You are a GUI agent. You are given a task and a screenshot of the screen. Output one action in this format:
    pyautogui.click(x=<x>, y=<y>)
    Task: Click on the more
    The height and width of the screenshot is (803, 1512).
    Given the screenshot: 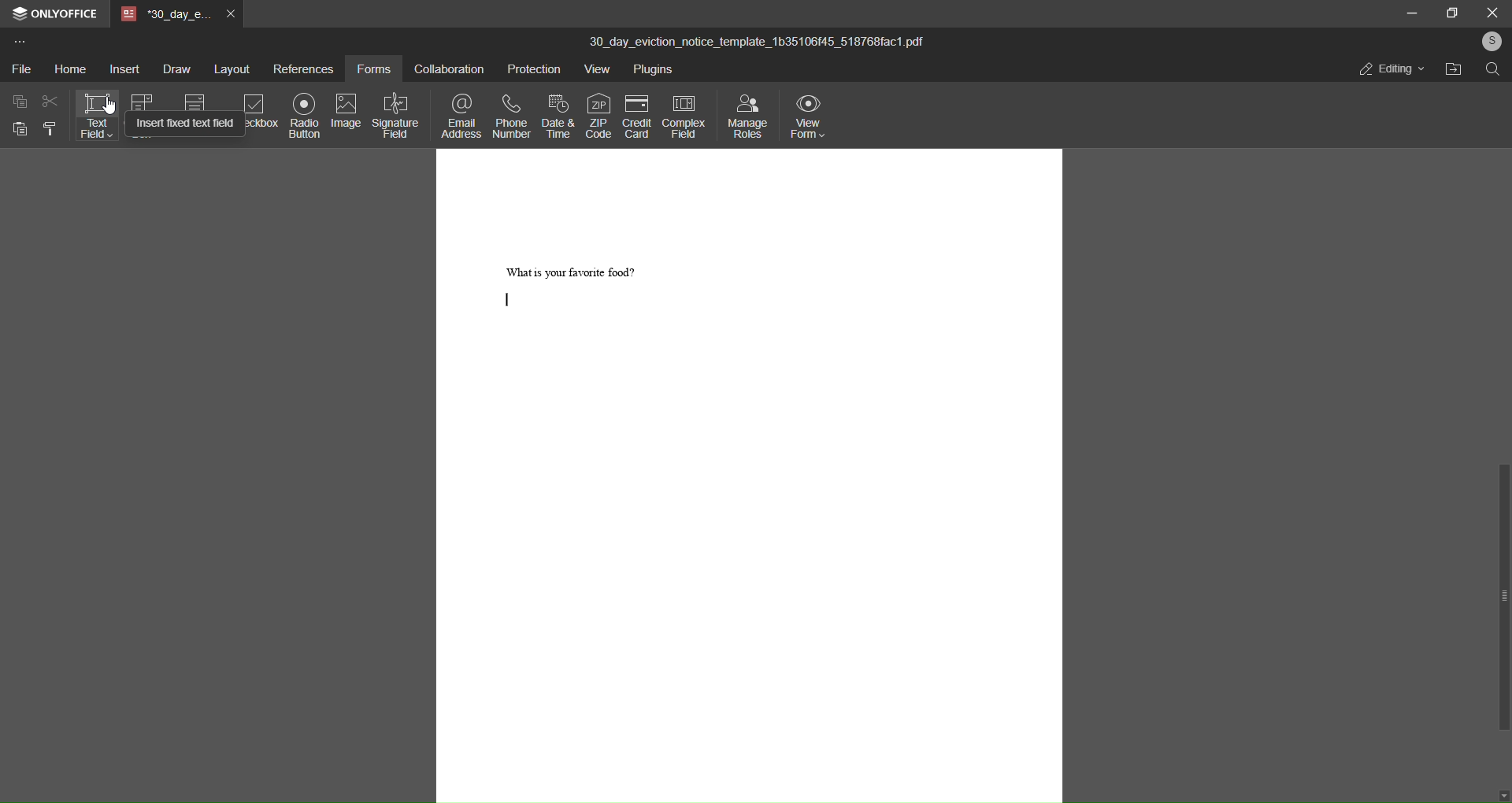 What is the action you would take?
    pyautogui.click(x=19, y=44)
    